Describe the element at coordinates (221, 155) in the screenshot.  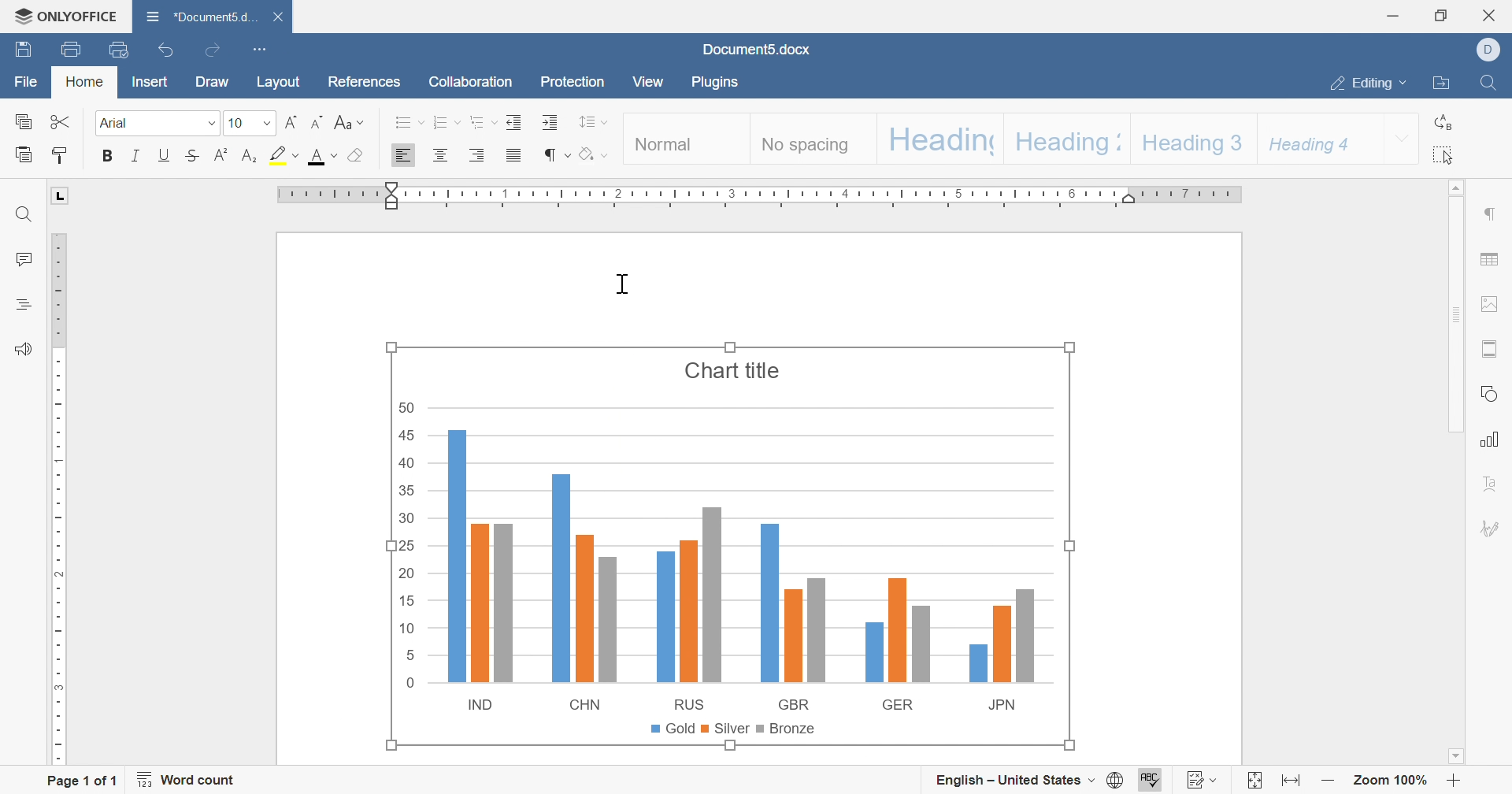
I see `superscript` at that location.